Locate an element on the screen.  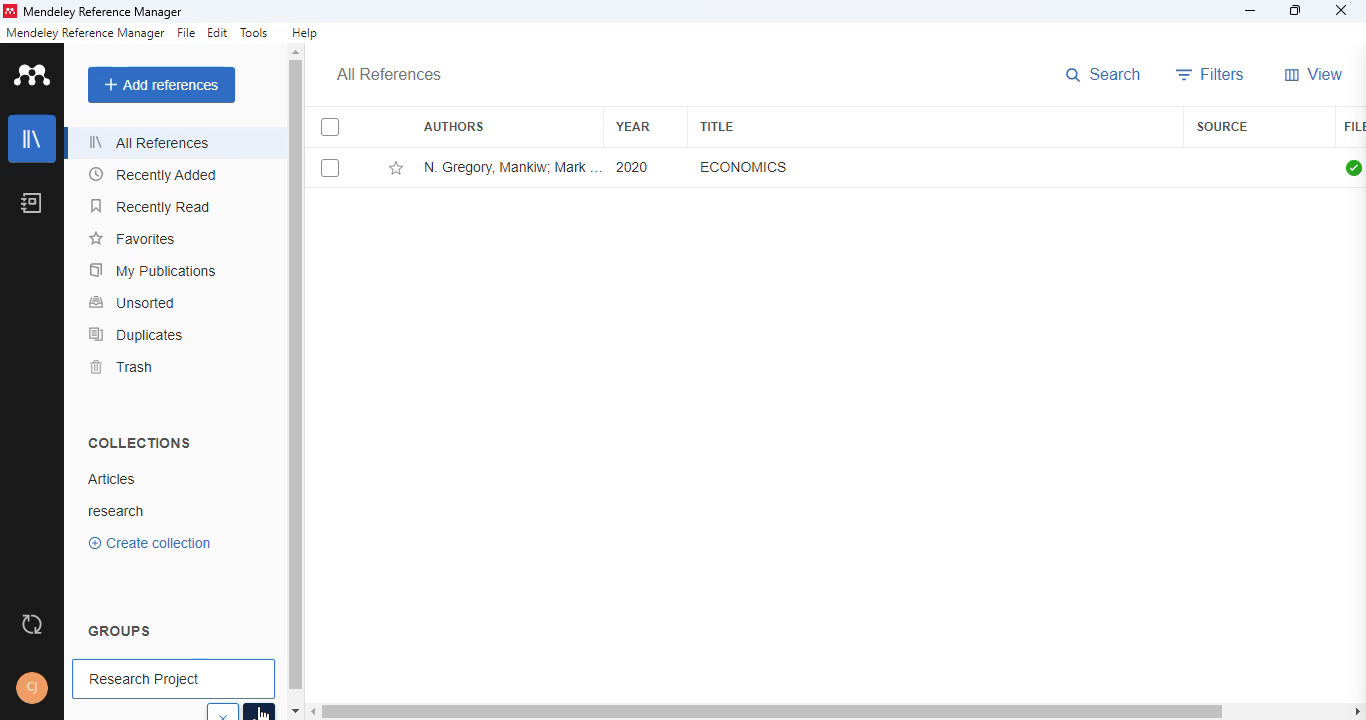
year is located at coordinates (633, 126).